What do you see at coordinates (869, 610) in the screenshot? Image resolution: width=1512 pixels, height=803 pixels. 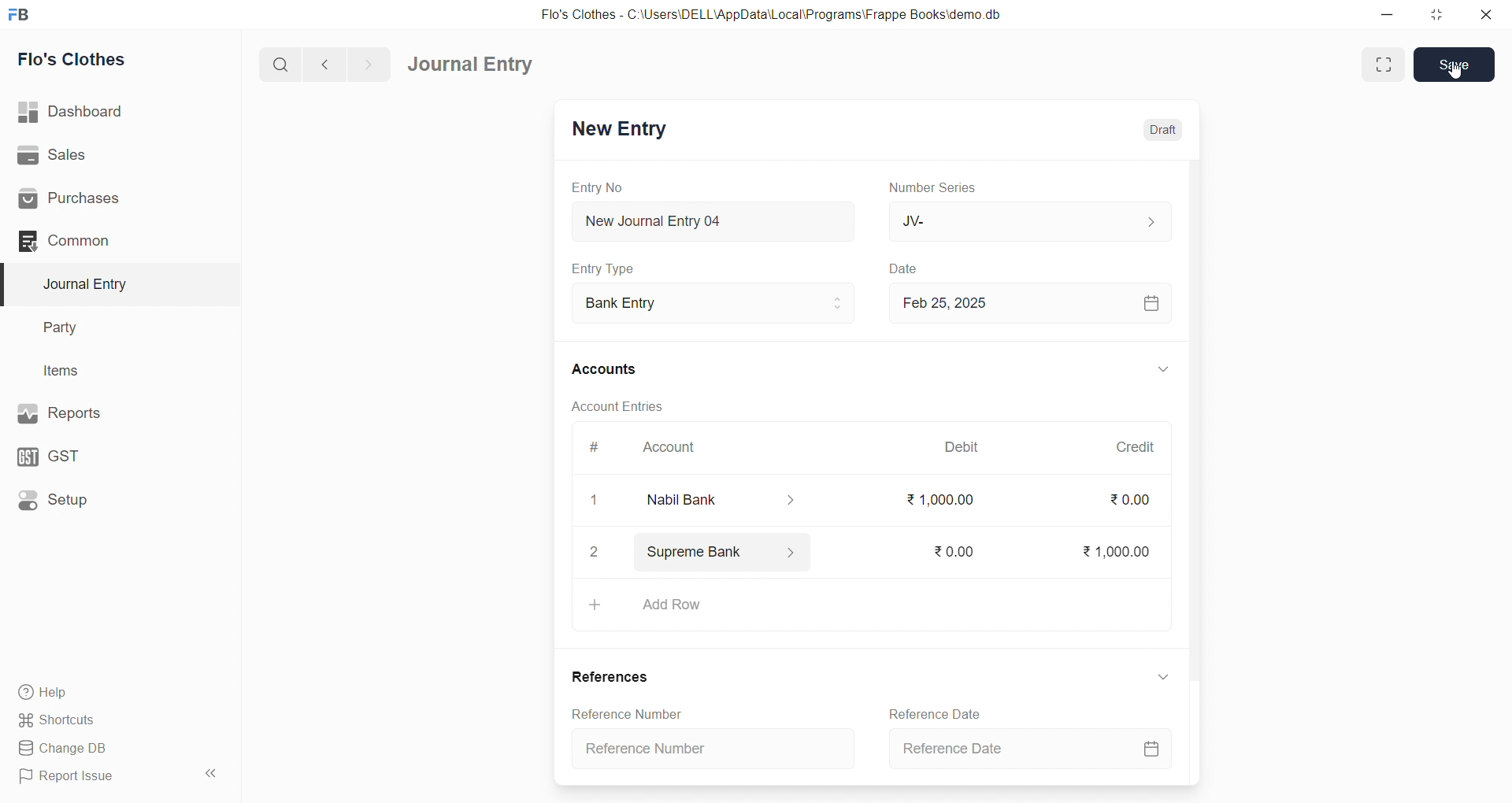 I see `Add Row ` at bounding box center [869, 610].